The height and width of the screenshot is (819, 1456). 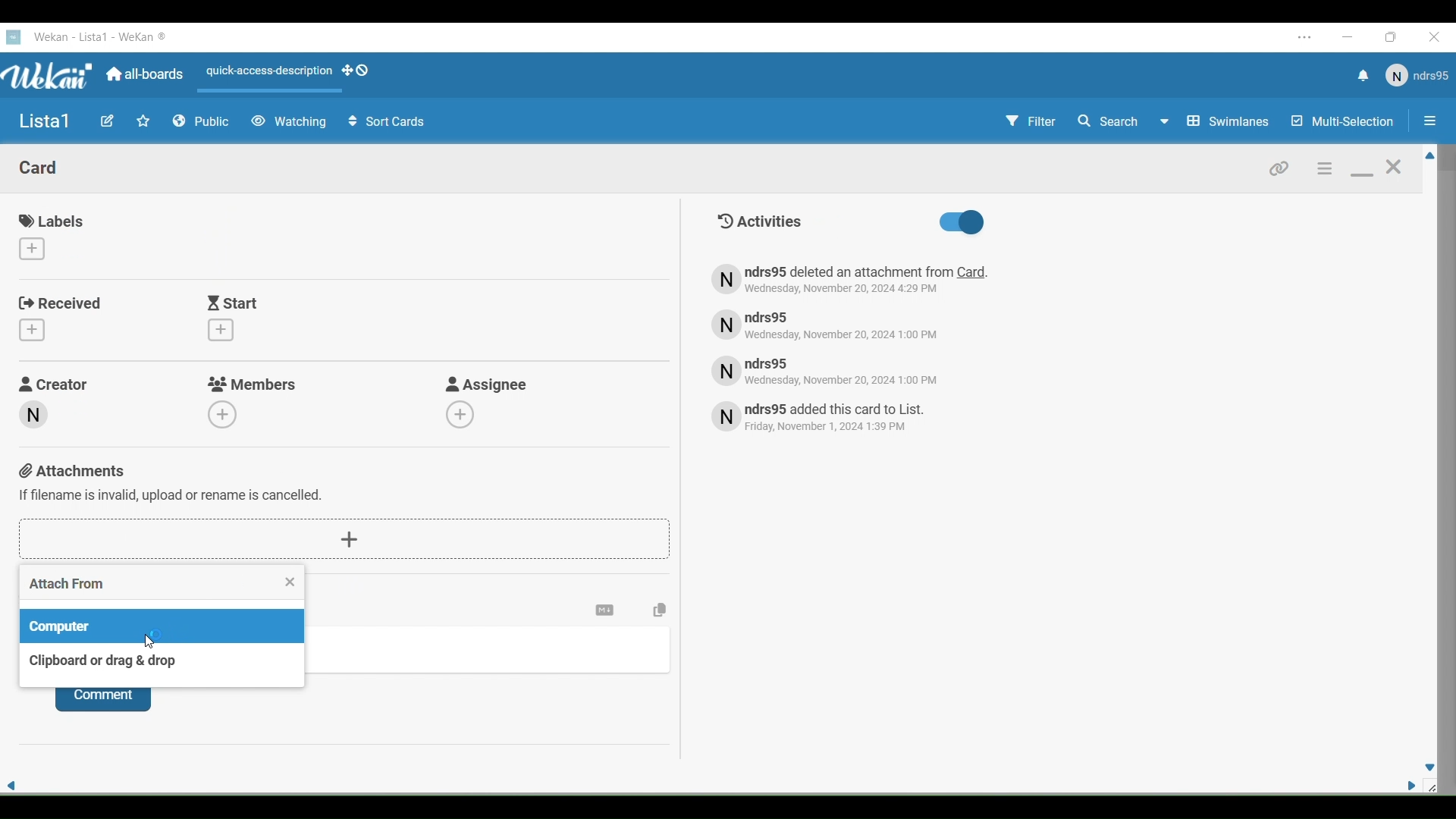 I want to click on Filter, so click(x=1030, y=124).